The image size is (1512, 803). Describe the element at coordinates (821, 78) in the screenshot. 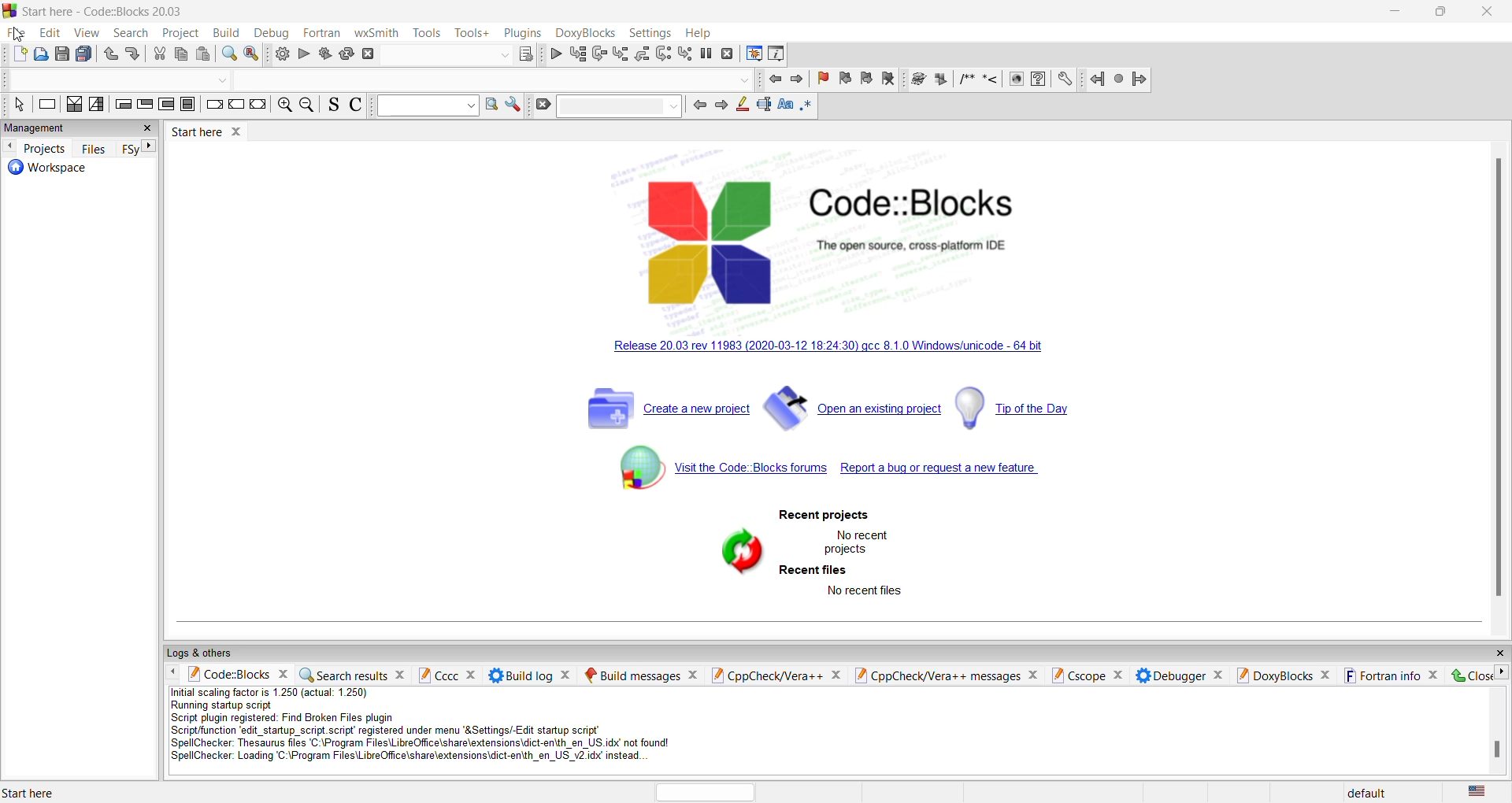

I see `bookmark` at that location.